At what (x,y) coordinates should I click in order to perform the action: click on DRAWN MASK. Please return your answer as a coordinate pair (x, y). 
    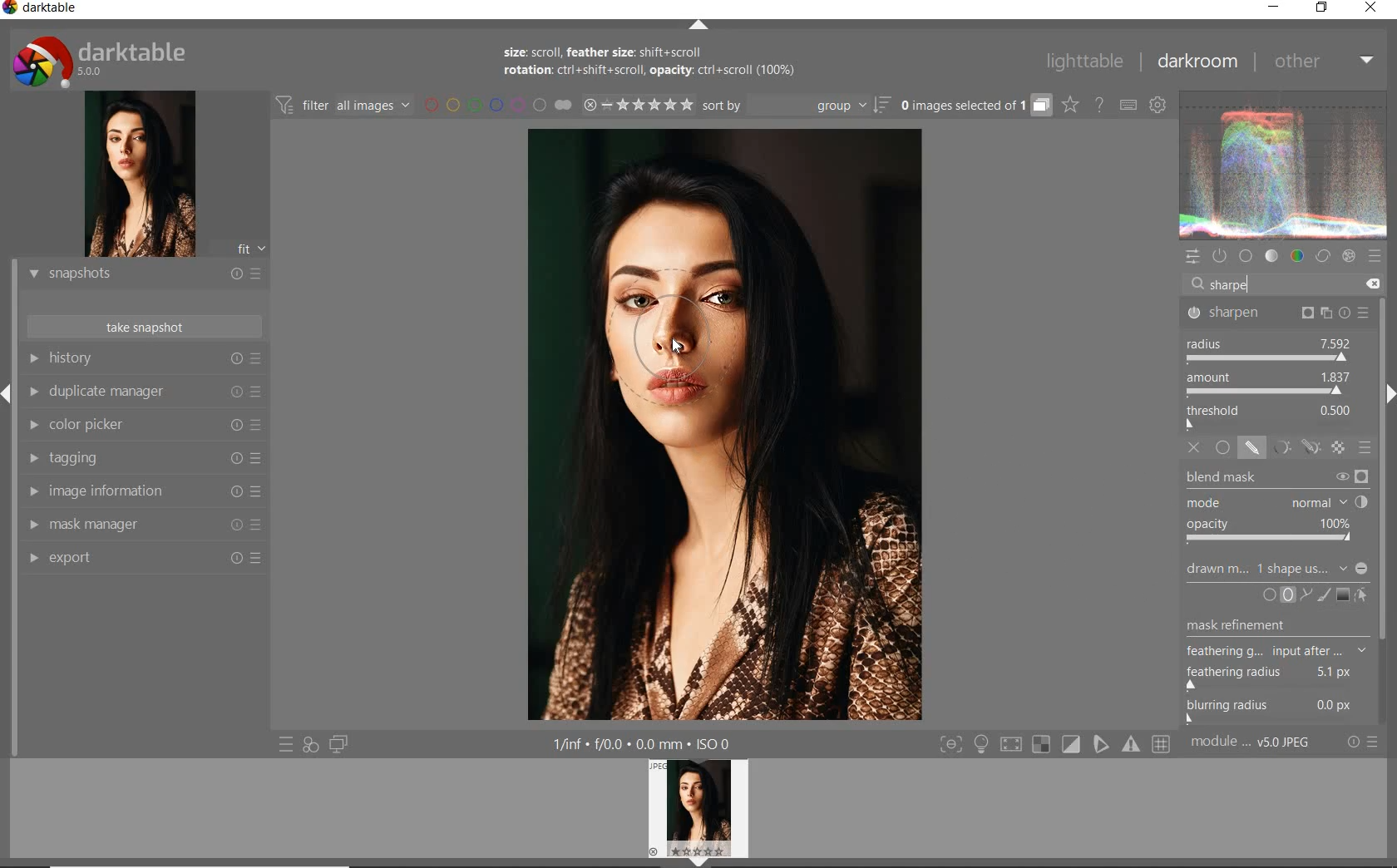
    Looking at the image, I should click on (1279, 570).